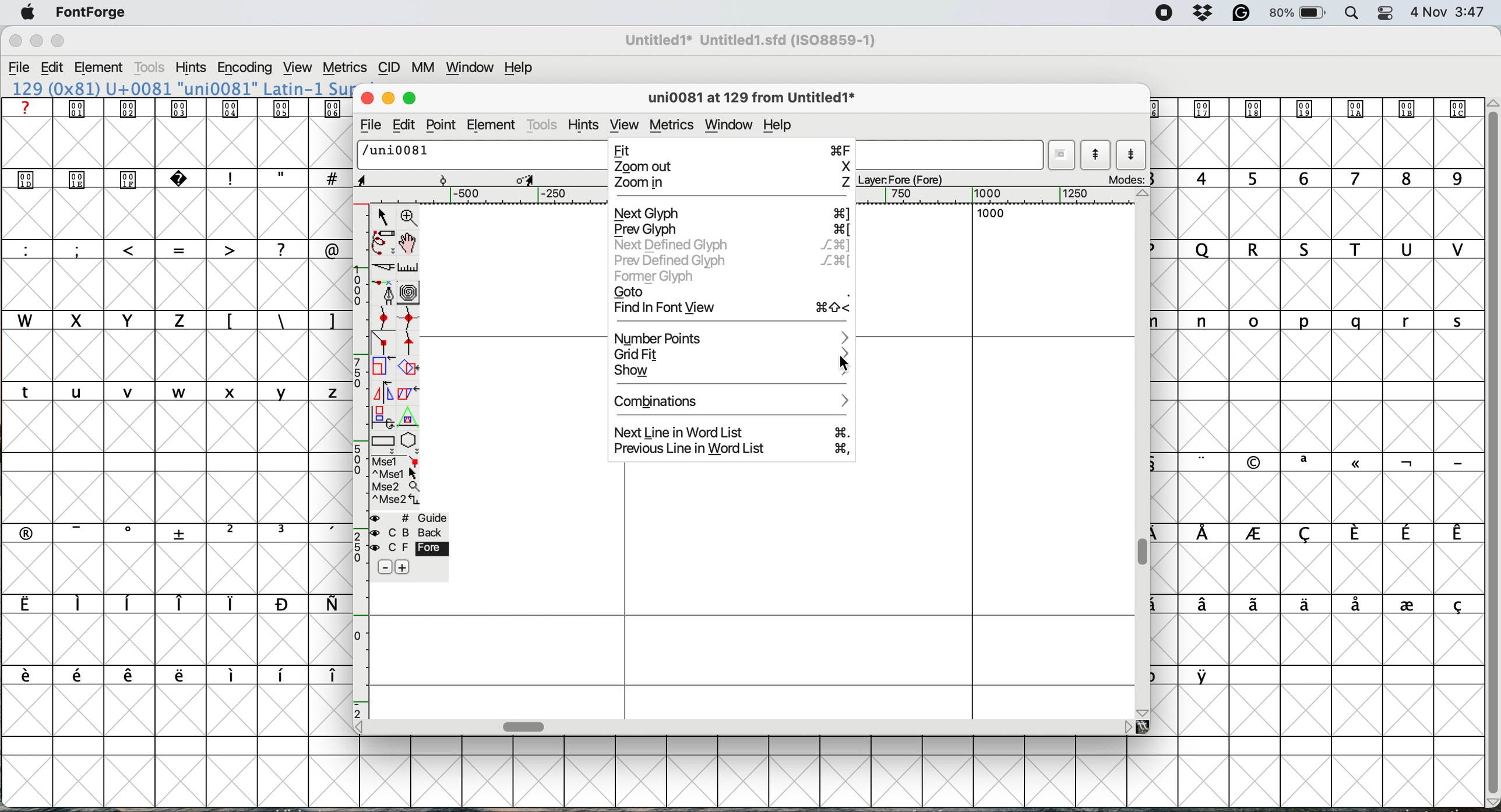 This screenshot has height=812, width=1501. What do you see at coordinates (731, 214) in the screenshot?
I see `next glyph` at bounding box center [731, 214].